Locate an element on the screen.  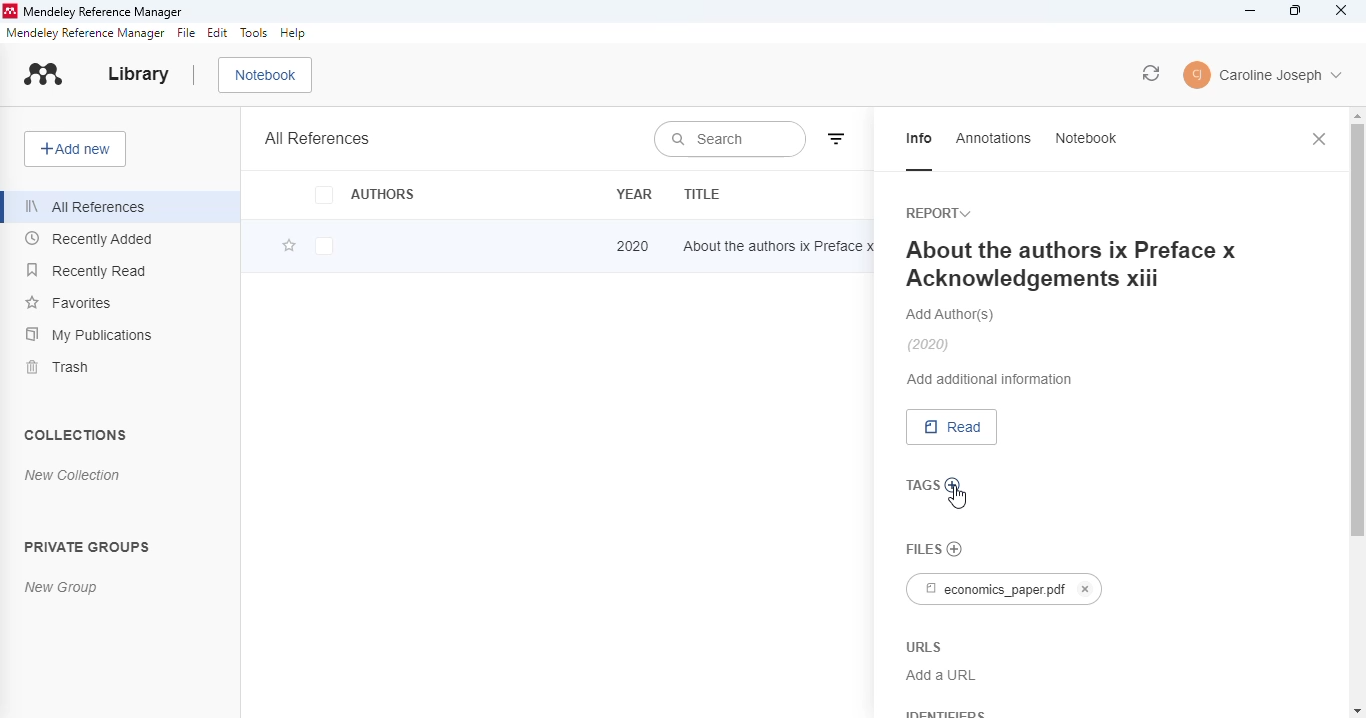
add authors is located at coordinates (951, 314).